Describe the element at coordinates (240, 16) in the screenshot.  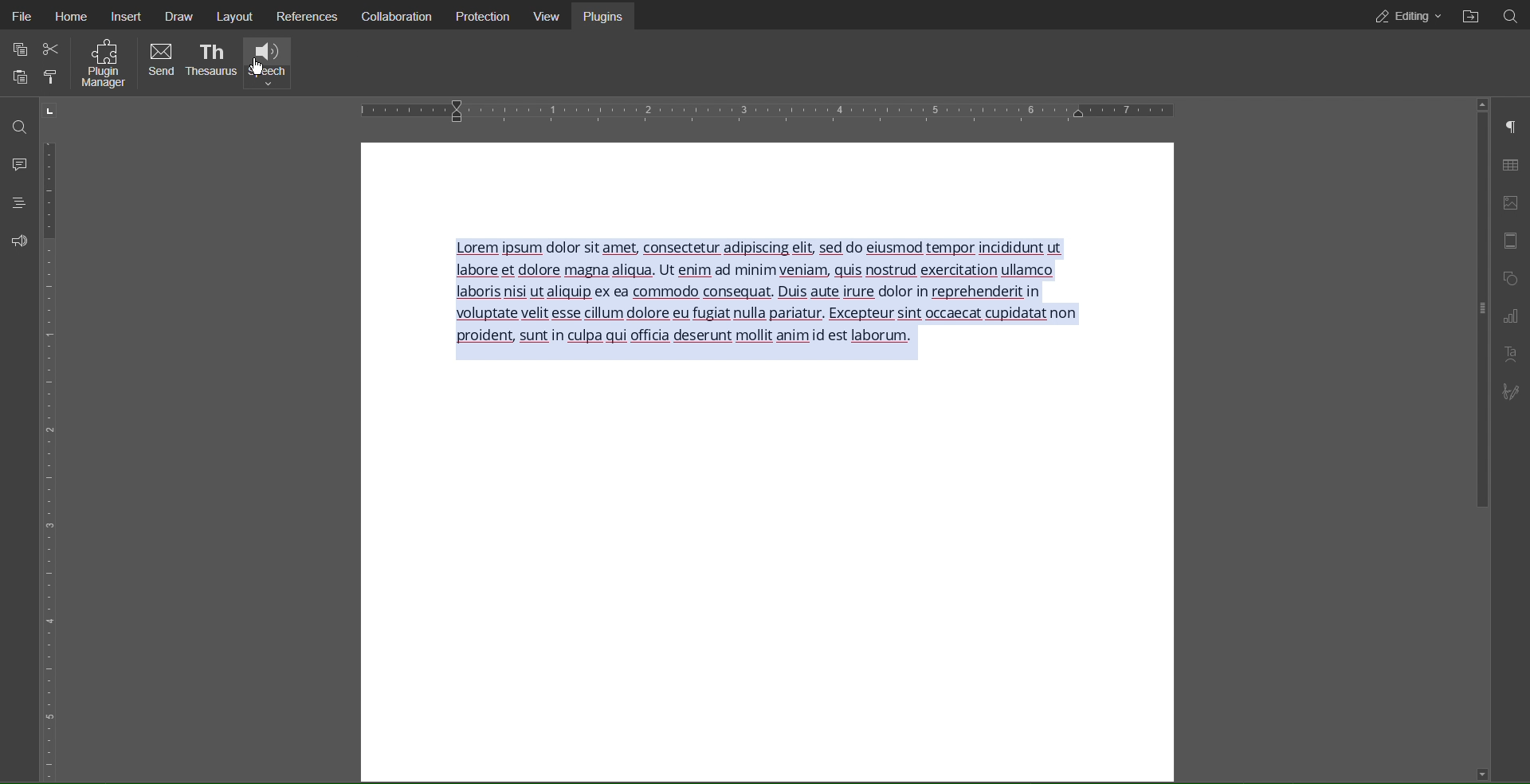
I see `Layout` at that location.